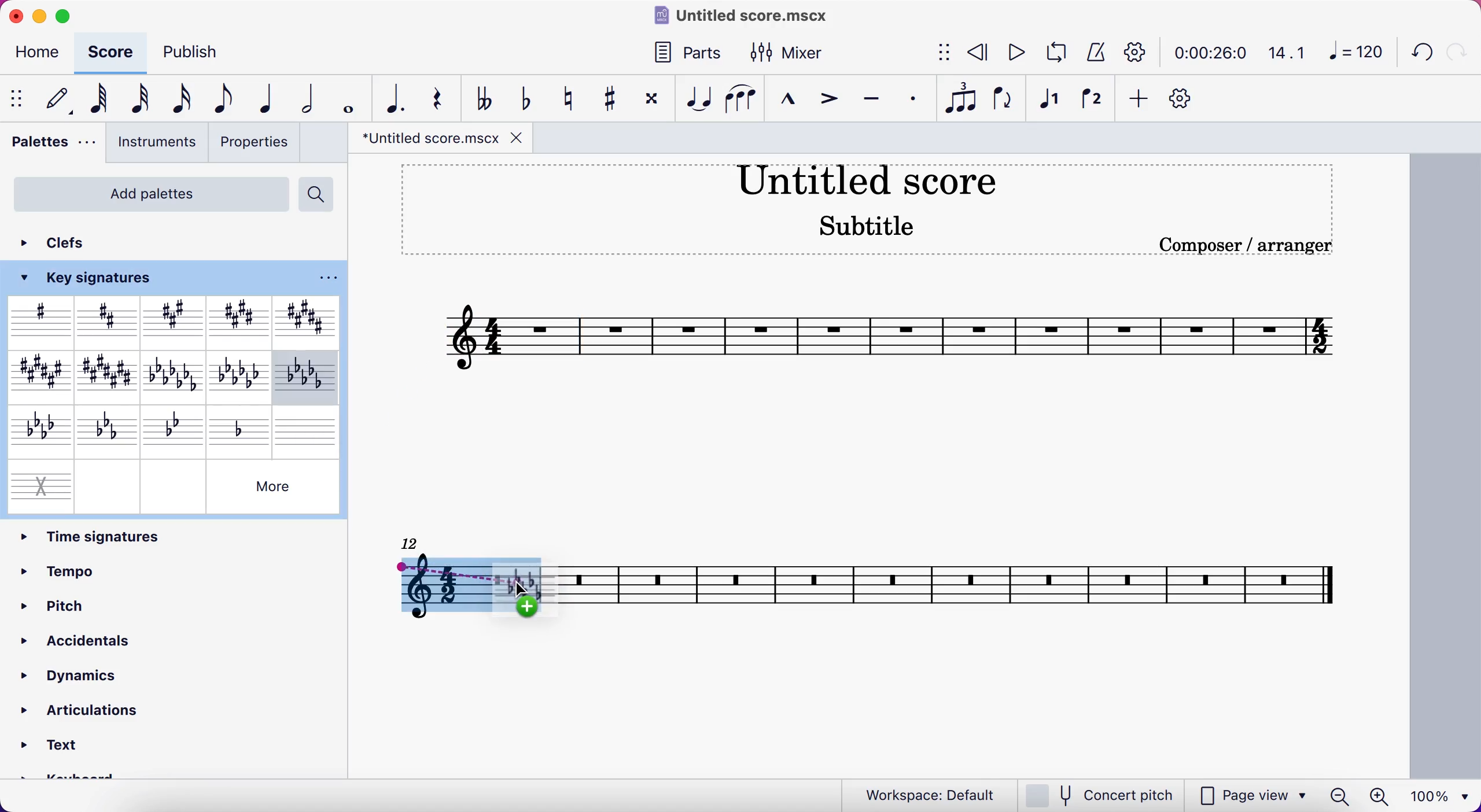 The image size is (1481, 812). What do you see at coordinates (37, 376) in the screenshot?
I see `F major` at bounding box center [37, 376].